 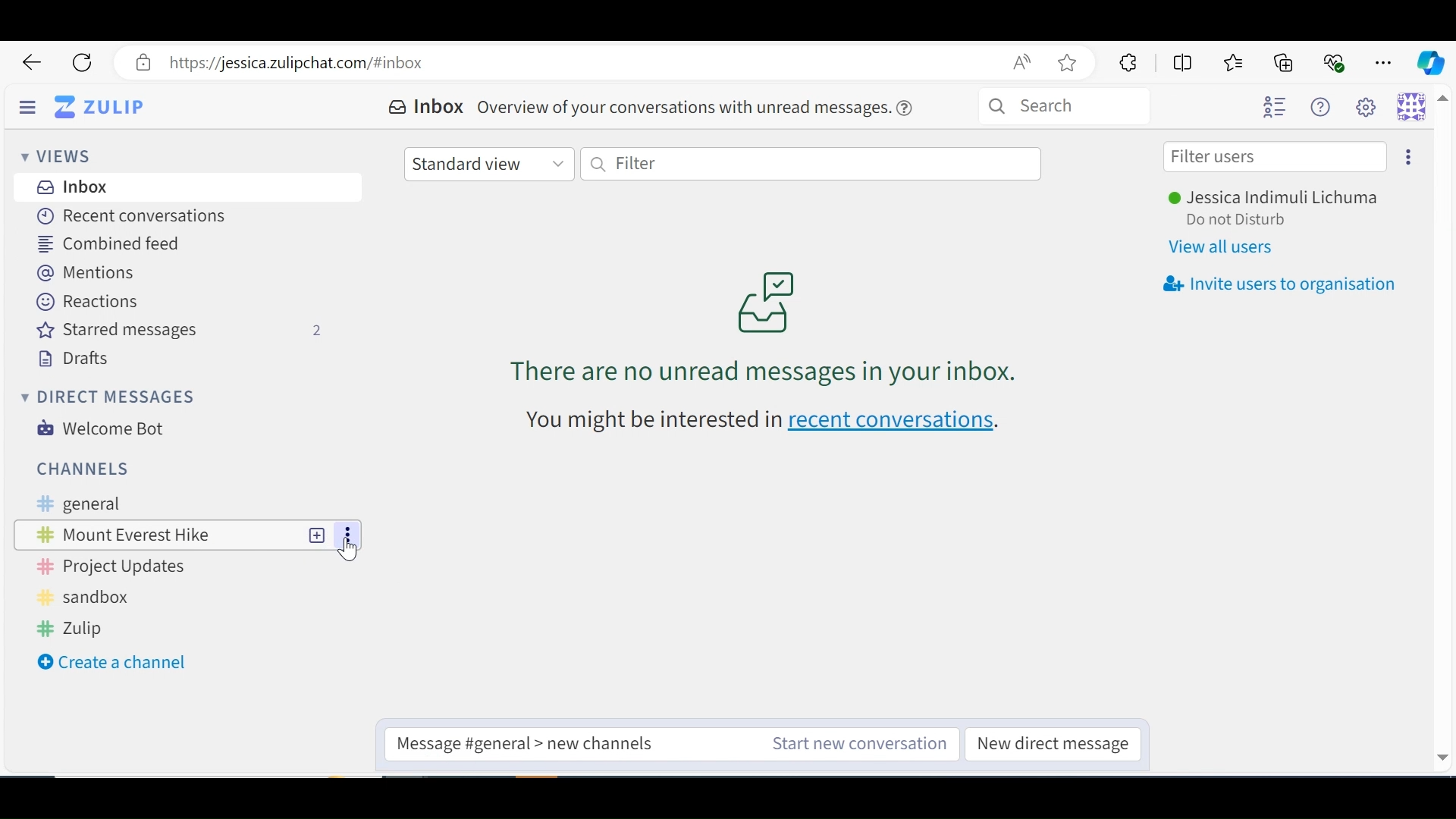 What do you see at coordinates (813, 165) in the screenshot?
I see `Filter` at bounding box center [813, 165].